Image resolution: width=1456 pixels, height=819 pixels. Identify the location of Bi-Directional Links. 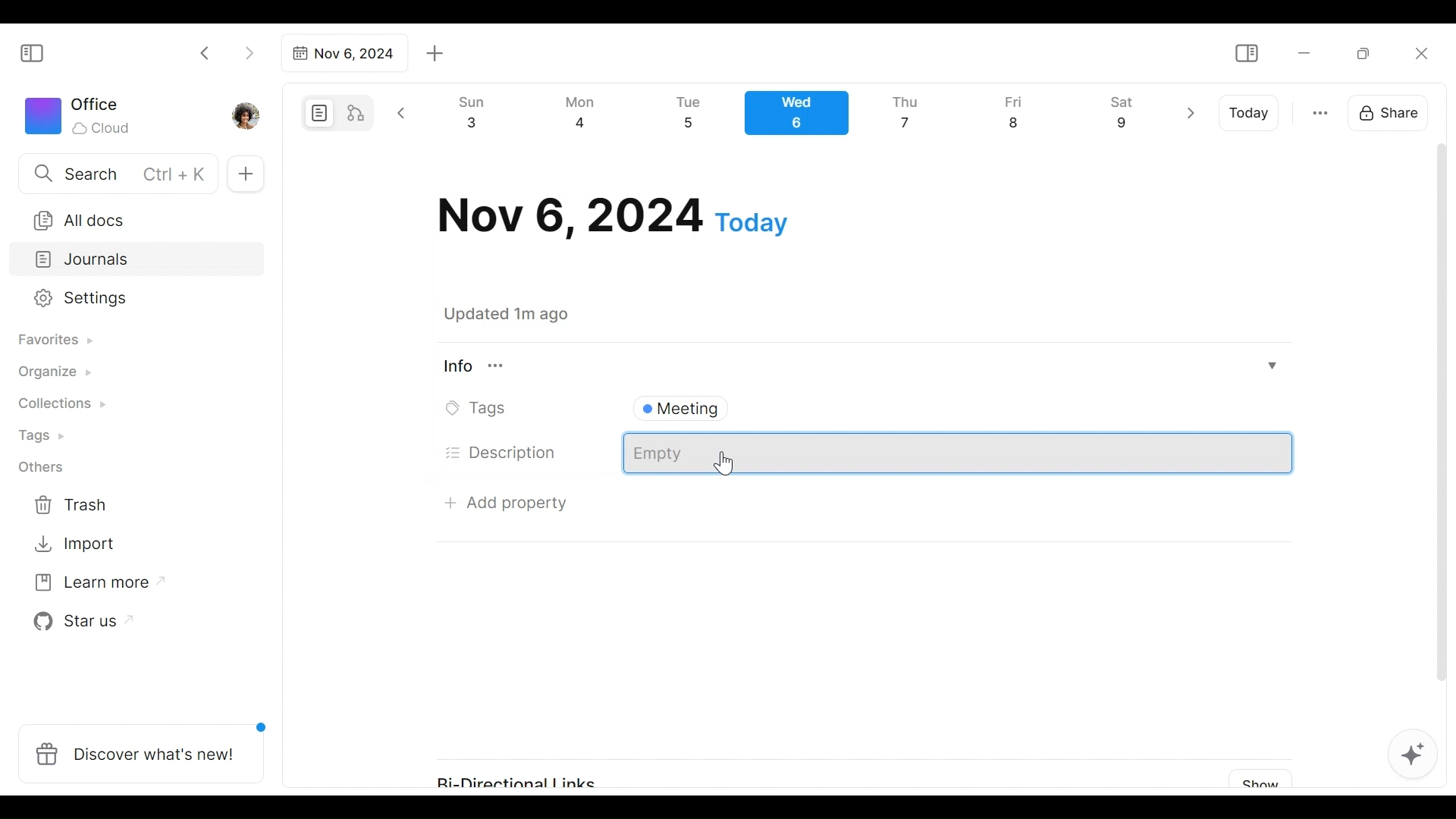
(529, 775).